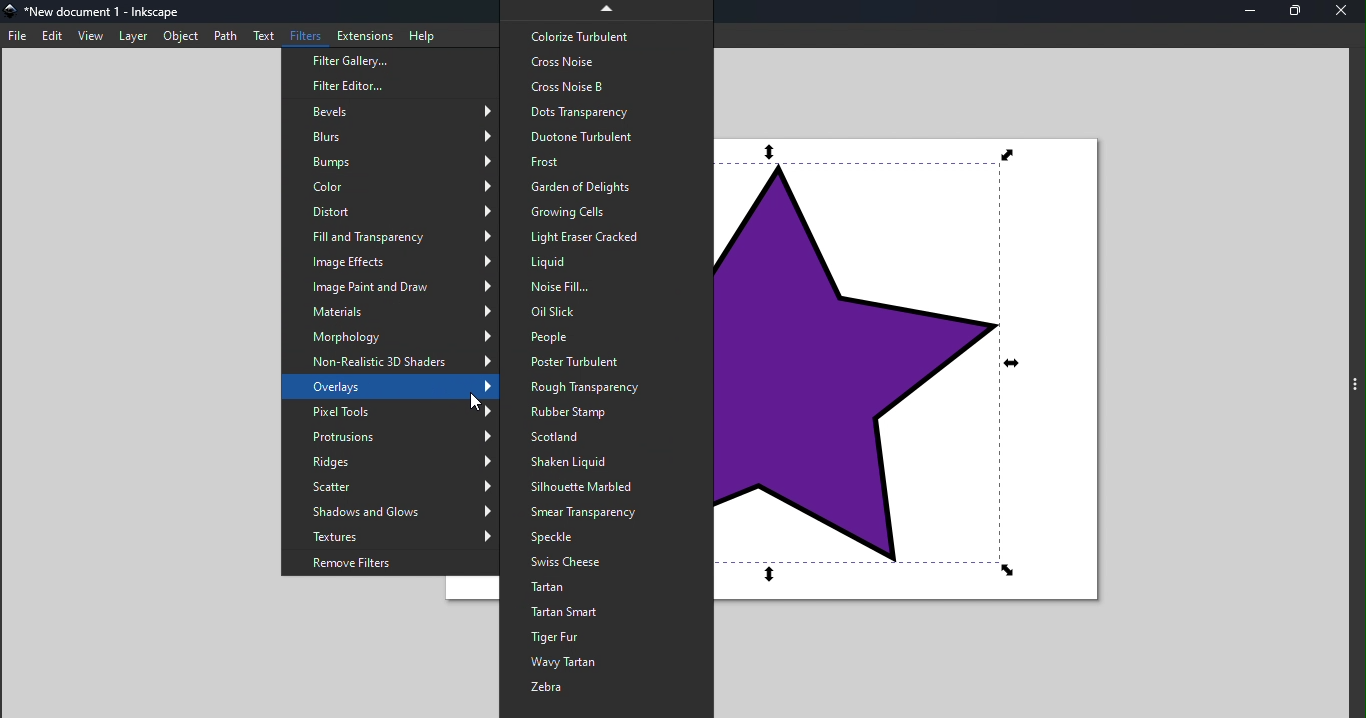  What do you see at coordinates (604, 162) in the screenshot?
I see `Frost` at bounding box center [604, 162].